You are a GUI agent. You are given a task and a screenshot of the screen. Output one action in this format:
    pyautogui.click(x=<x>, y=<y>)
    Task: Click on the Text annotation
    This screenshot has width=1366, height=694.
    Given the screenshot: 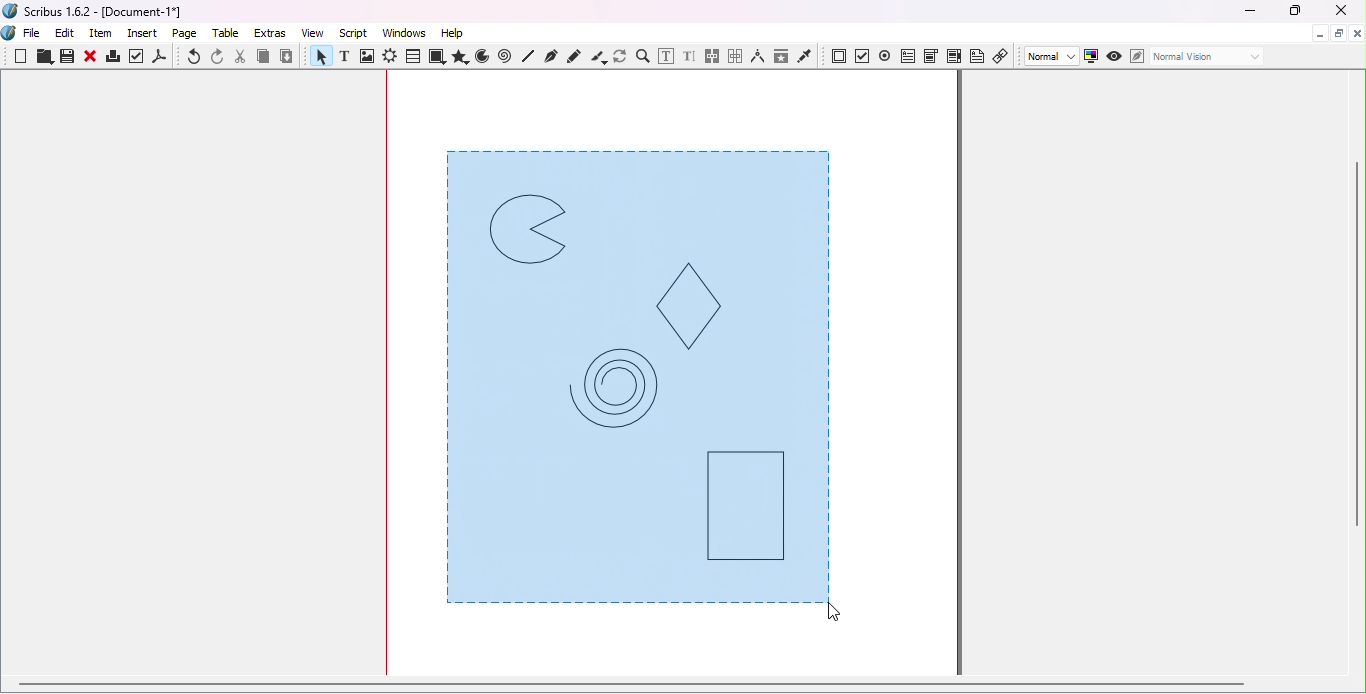 What is the action you would take?
    pyautogui.click(x=977, y=55)
    